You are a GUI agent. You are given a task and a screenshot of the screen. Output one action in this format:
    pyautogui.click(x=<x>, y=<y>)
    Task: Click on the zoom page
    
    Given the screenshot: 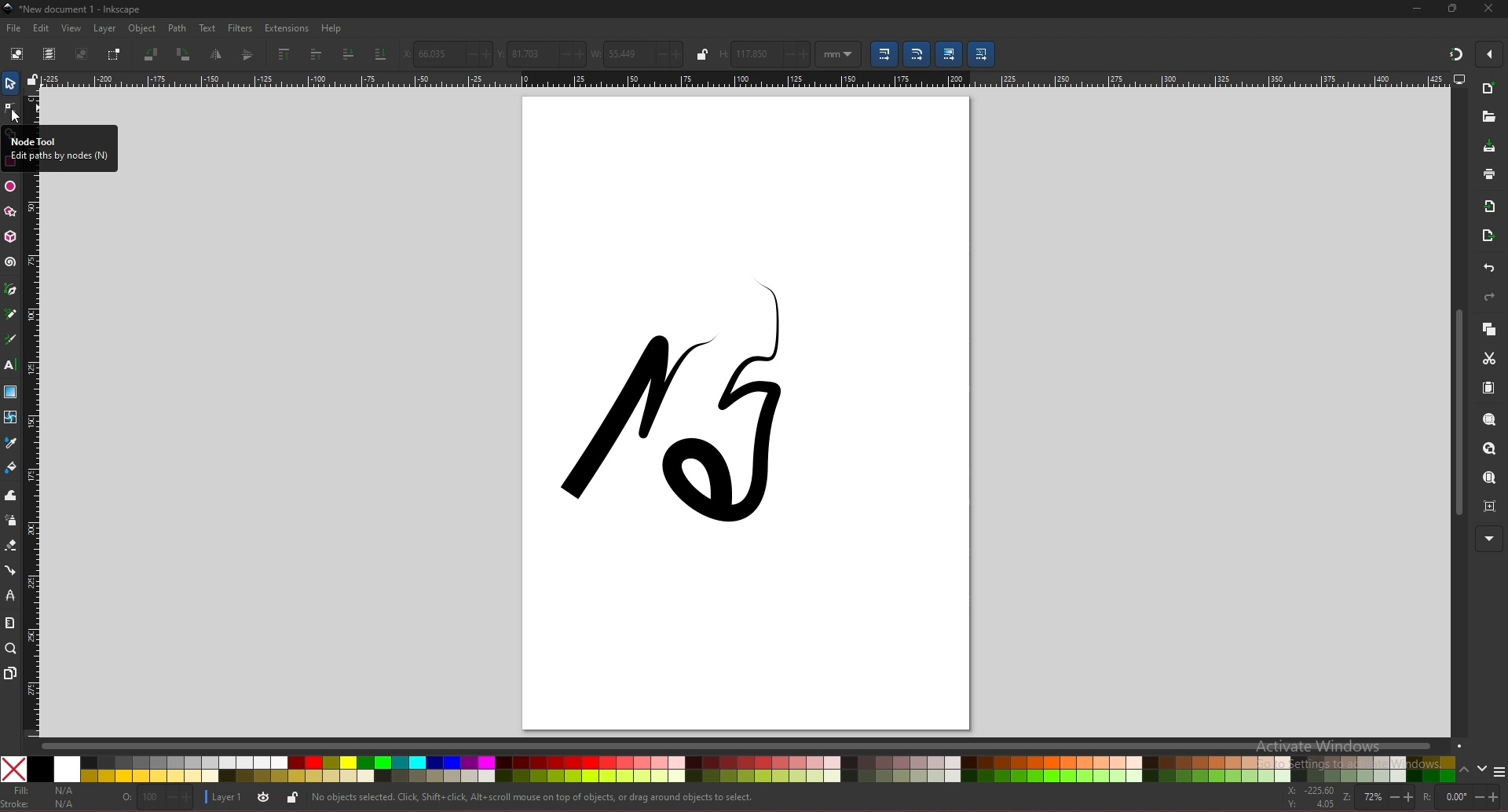 What is the action you would take?
    pyautogui.click(x=1490, y=477)
    